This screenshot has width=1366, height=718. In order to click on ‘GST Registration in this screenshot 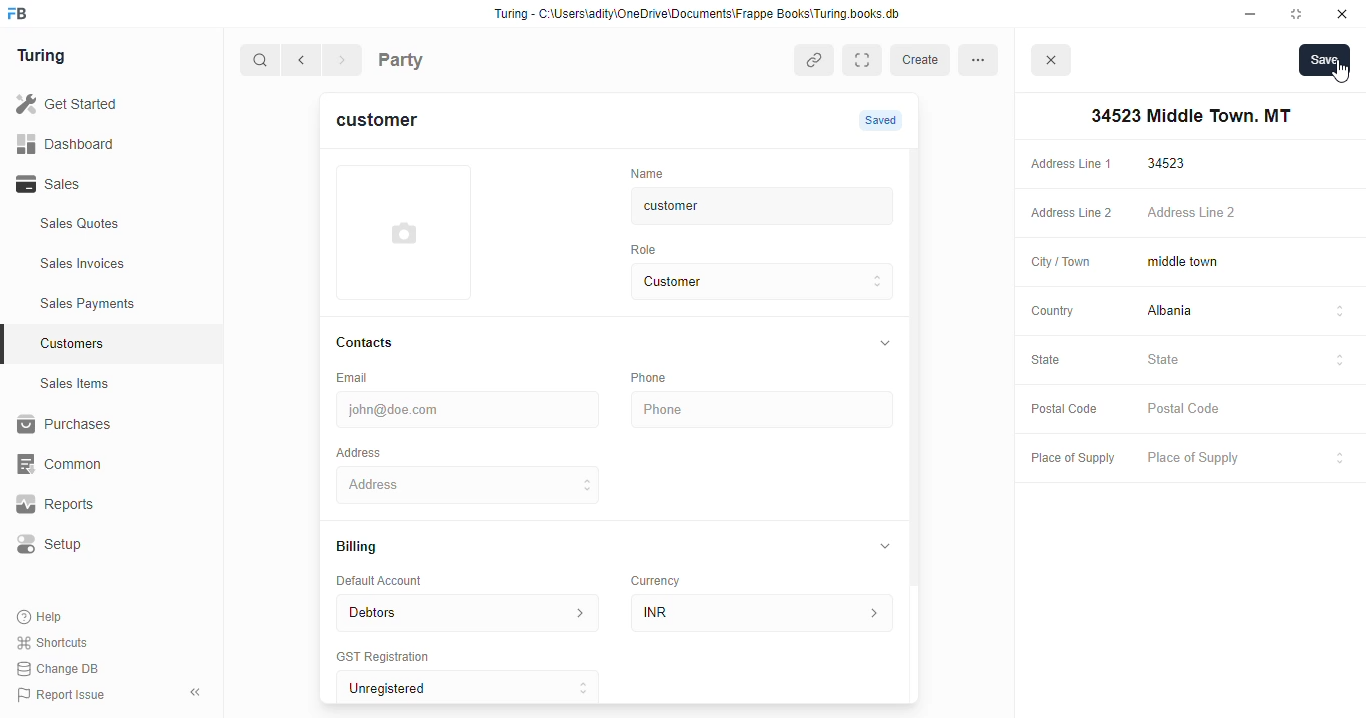, I will do `click(390, 658)`.